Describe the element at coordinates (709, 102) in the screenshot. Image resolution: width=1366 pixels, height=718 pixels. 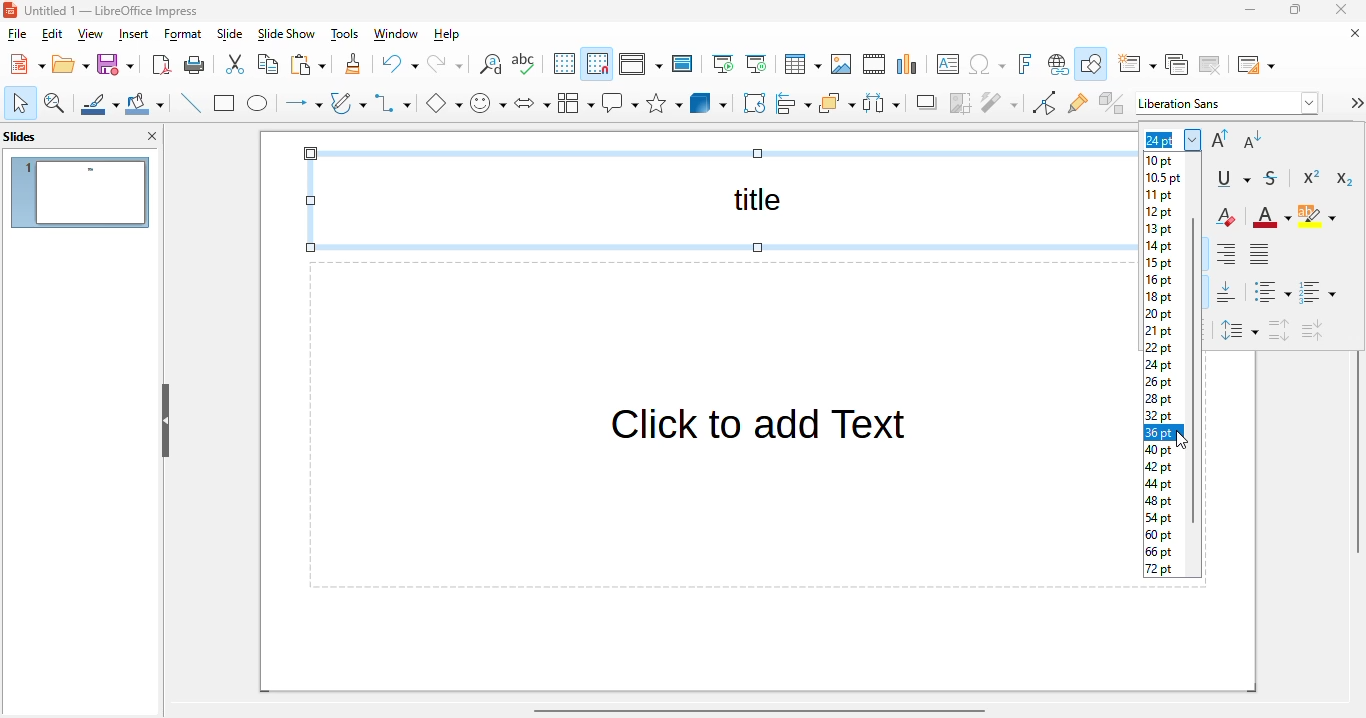
I see `3D objects` at that location.